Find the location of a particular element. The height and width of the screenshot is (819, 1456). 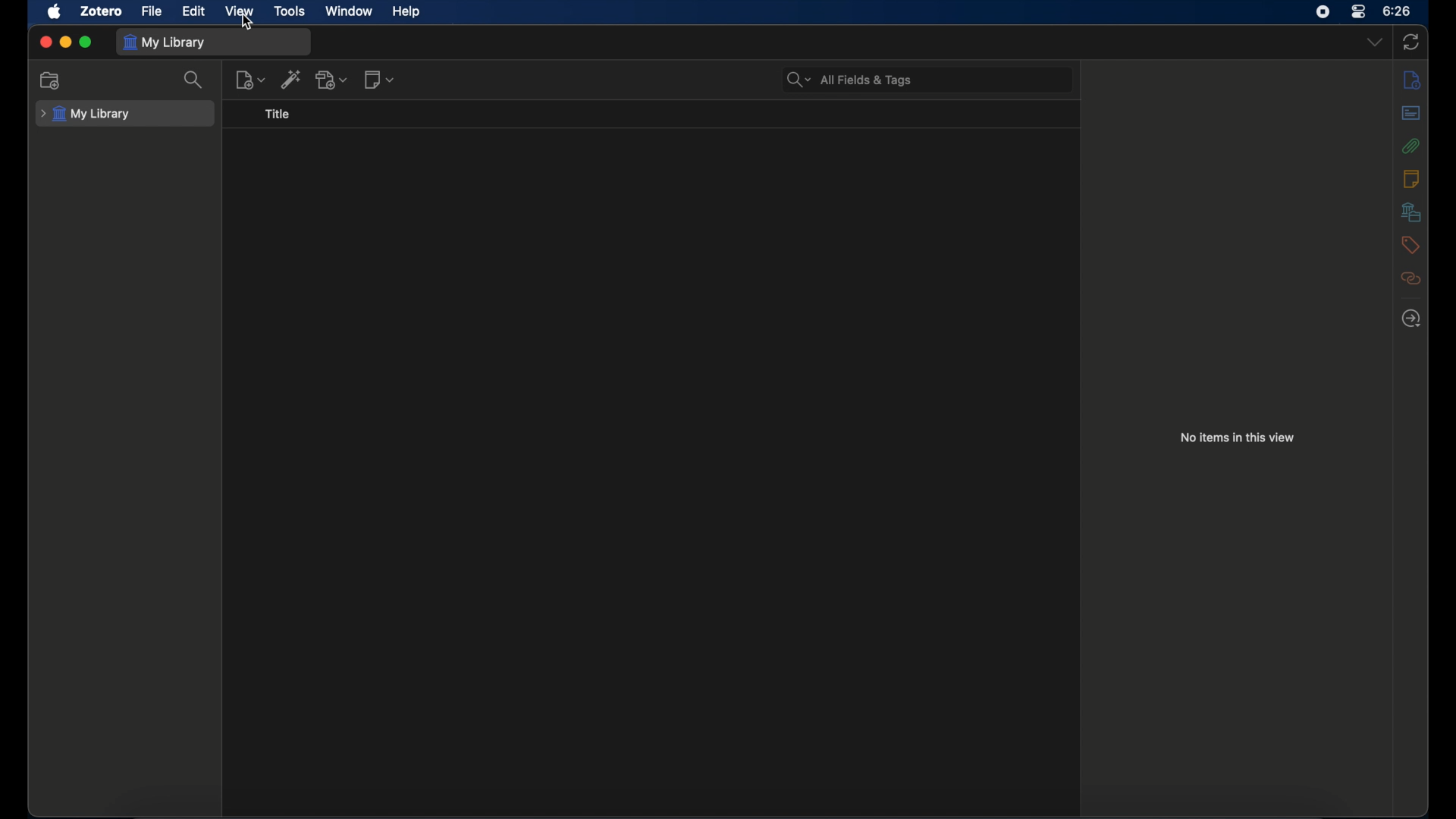

minimize is located at coordinates (65, 41).